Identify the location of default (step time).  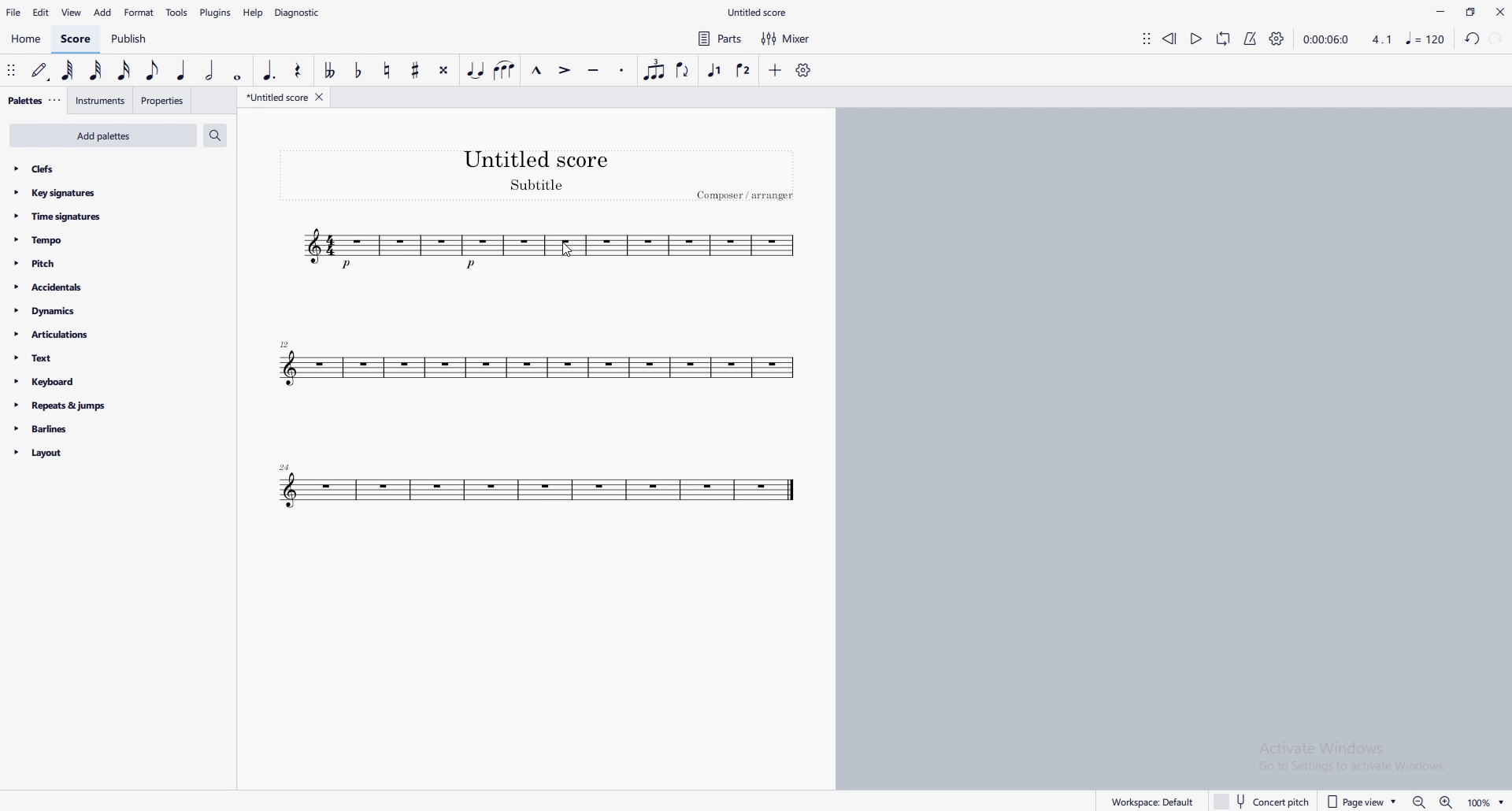
(41, 72).